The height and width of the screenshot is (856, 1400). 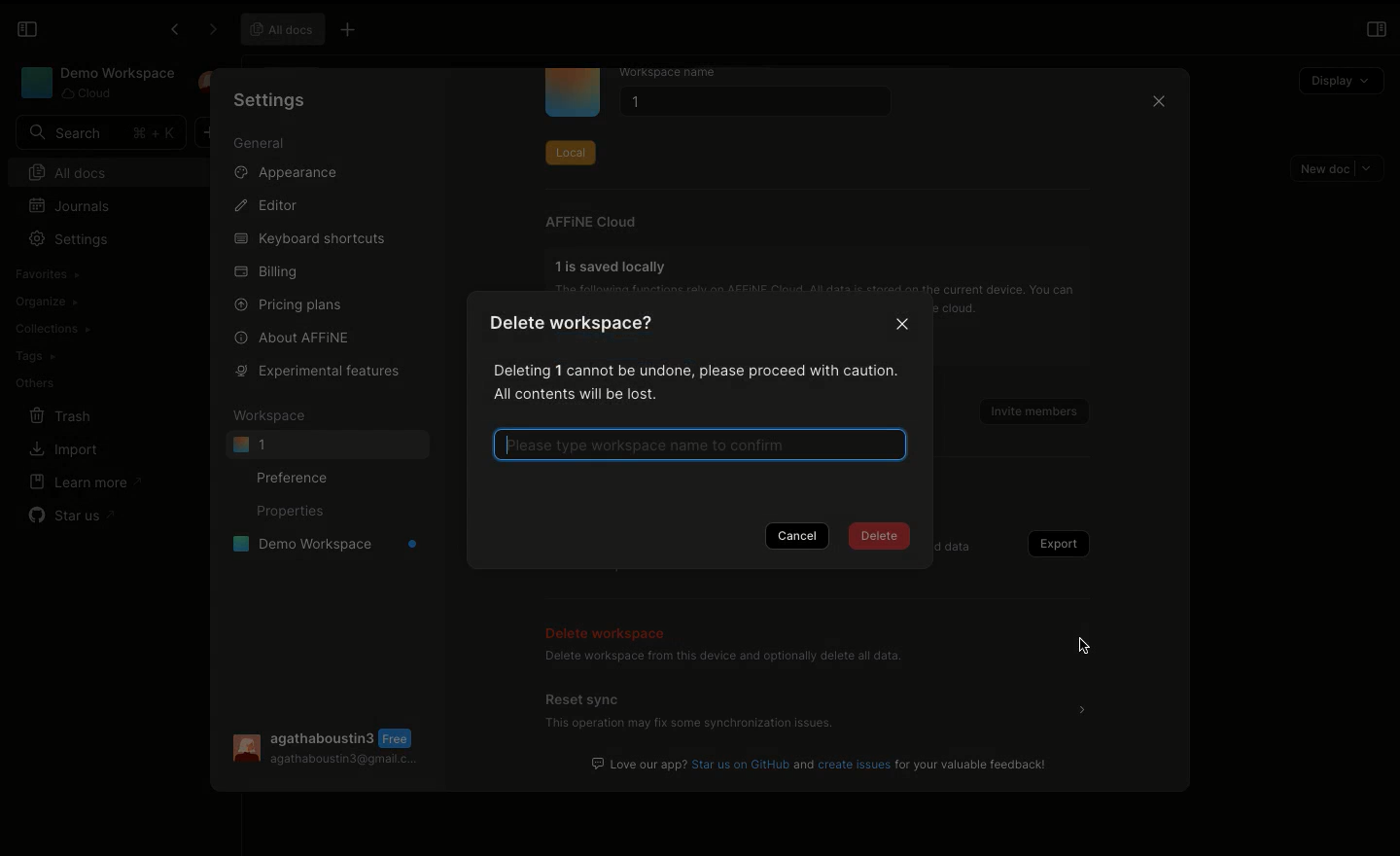 What do you see at coordinates (95, 83) in the screenshot?
I see `Workspace` at bounding box center [95, 83].